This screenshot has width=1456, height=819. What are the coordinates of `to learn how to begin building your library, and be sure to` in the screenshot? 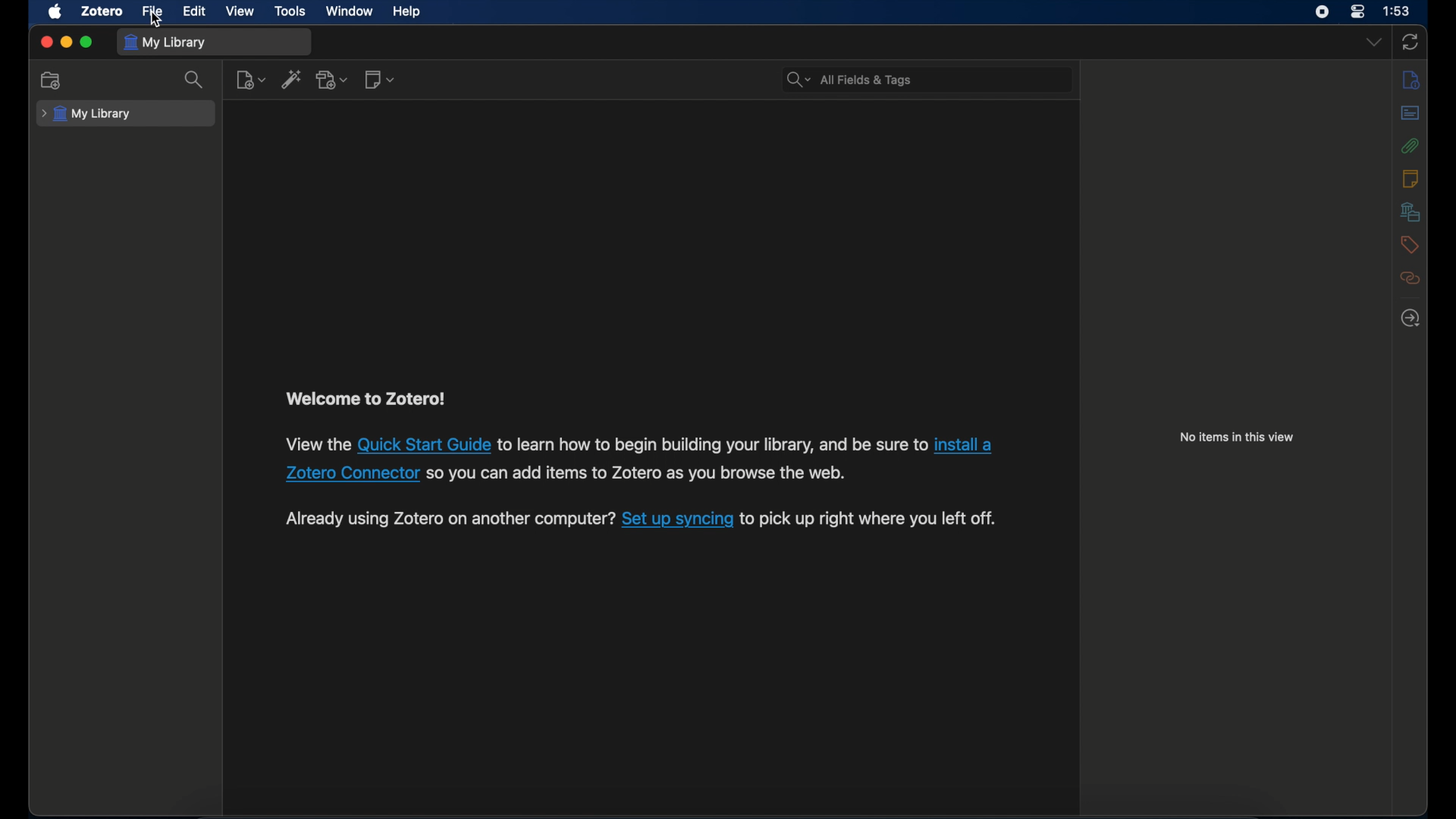 It's located at (713, 444).